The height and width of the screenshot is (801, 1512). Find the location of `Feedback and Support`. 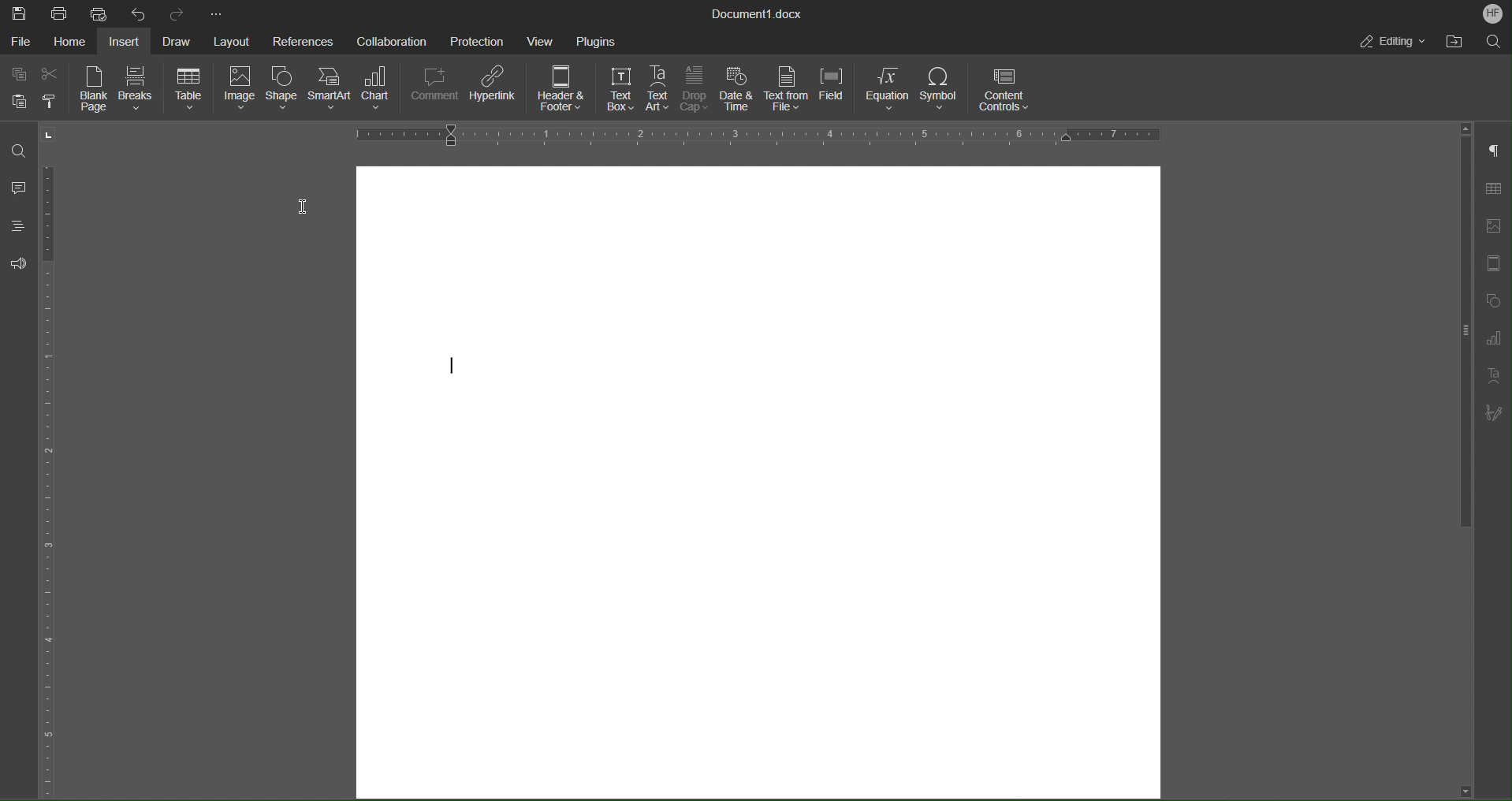

Feedback and Support is located at coordinates (16, 262).